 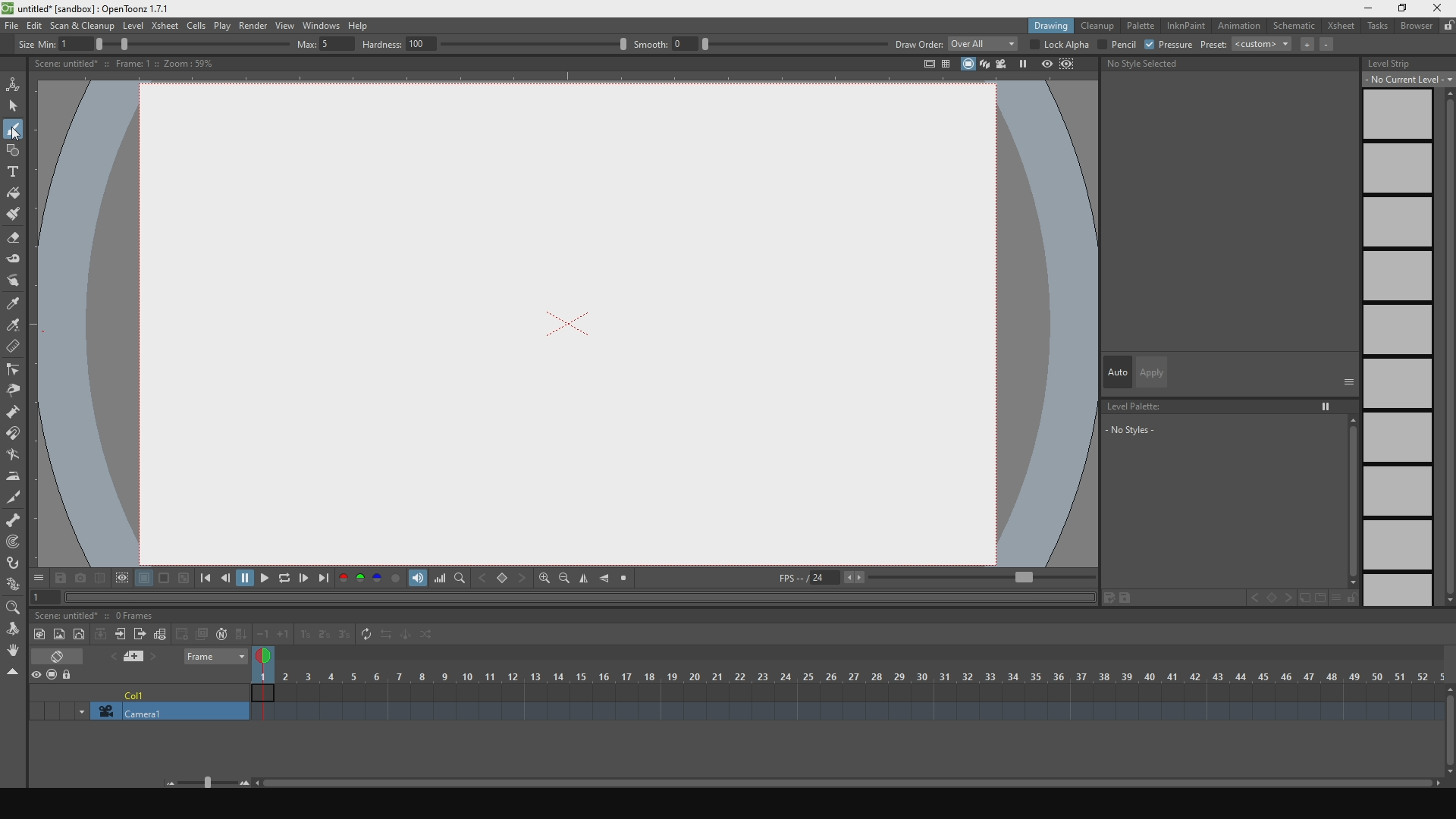 What do you see at coordinates (565, 579) in the screenshot?
I see `zoom out` at bounding box center [565, 579].